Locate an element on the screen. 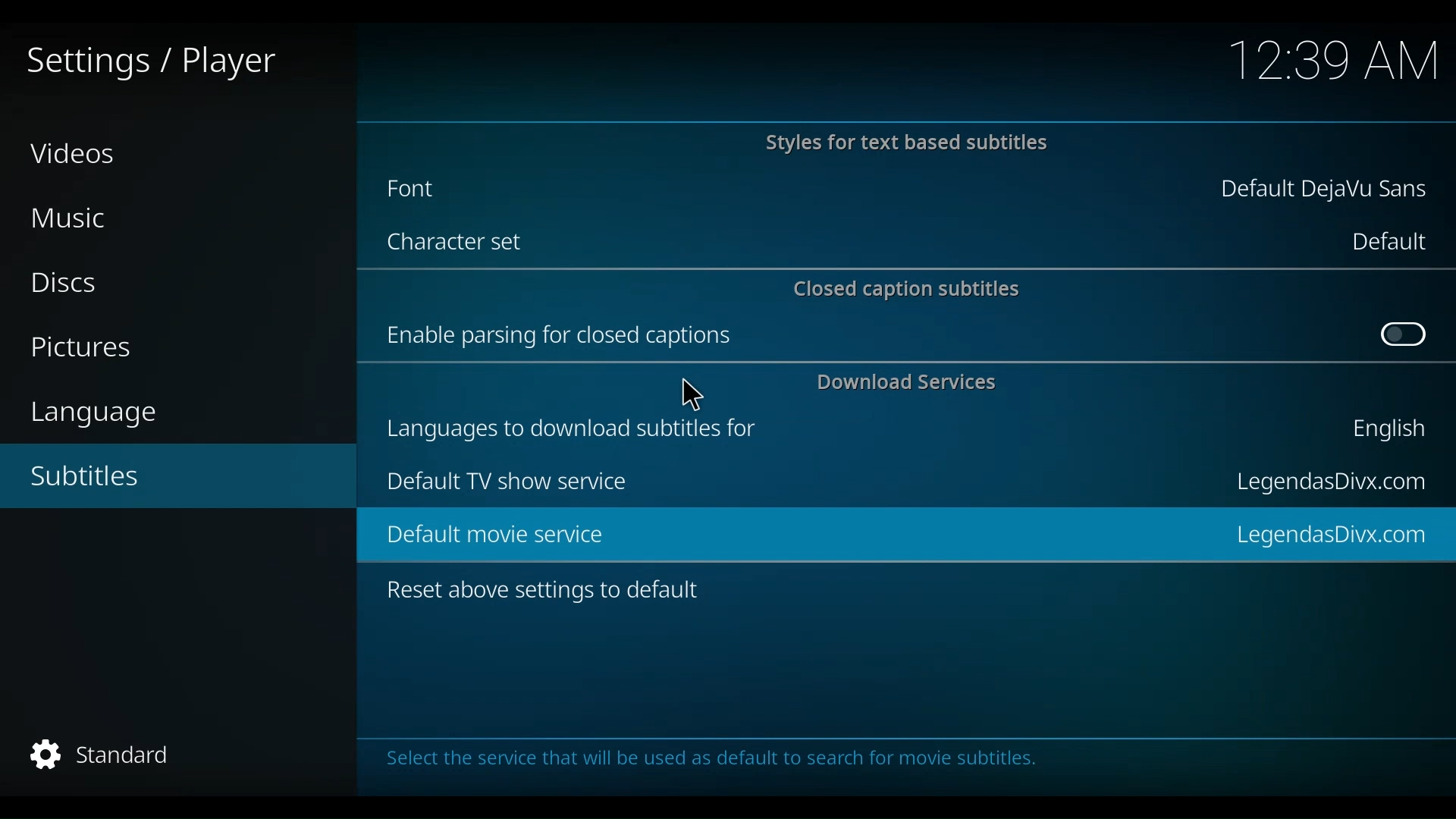  Settings/player is located at coordinates (149, 63).